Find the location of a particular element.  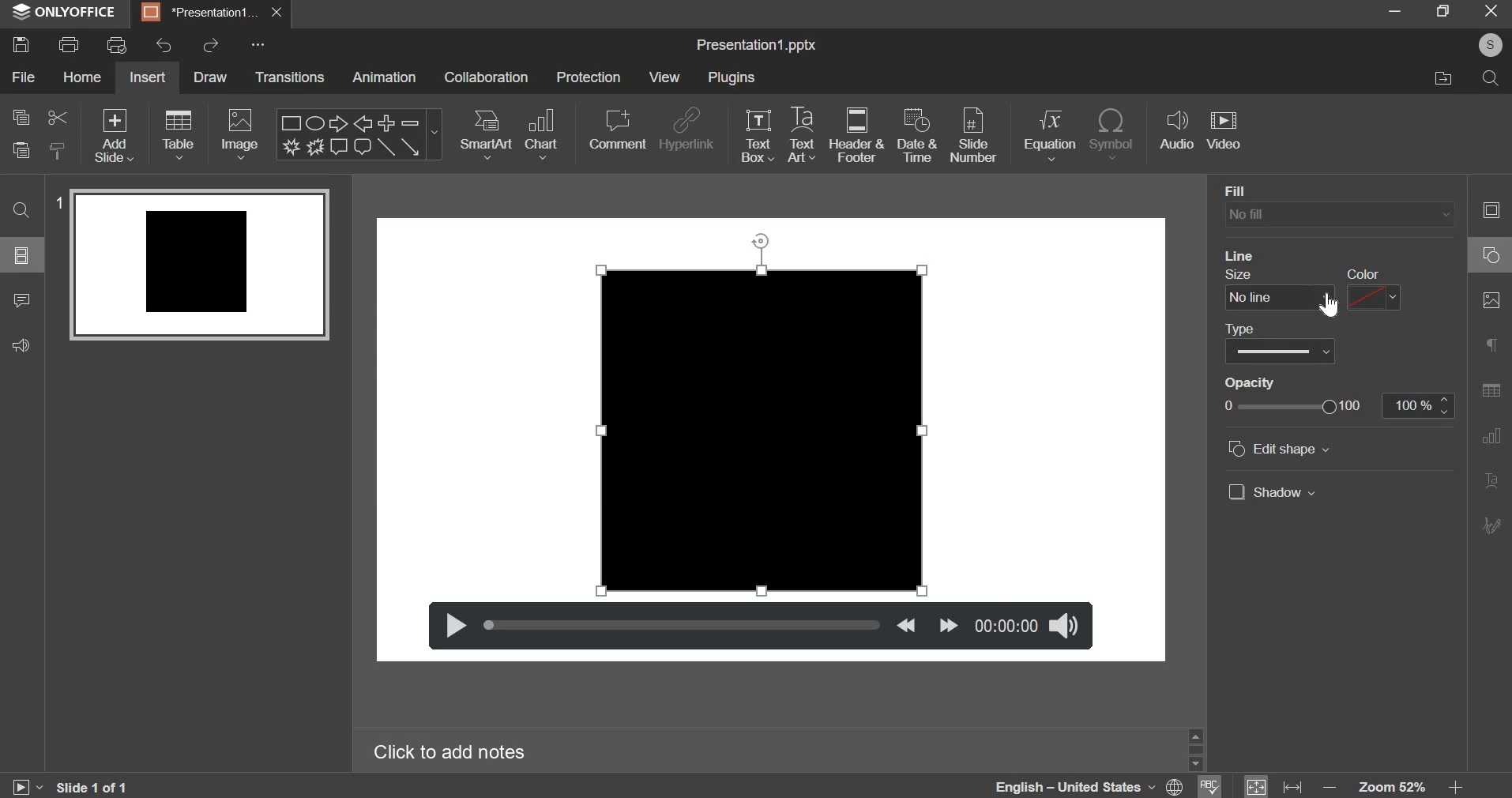

minimize is located at coordinates (1394, 11).